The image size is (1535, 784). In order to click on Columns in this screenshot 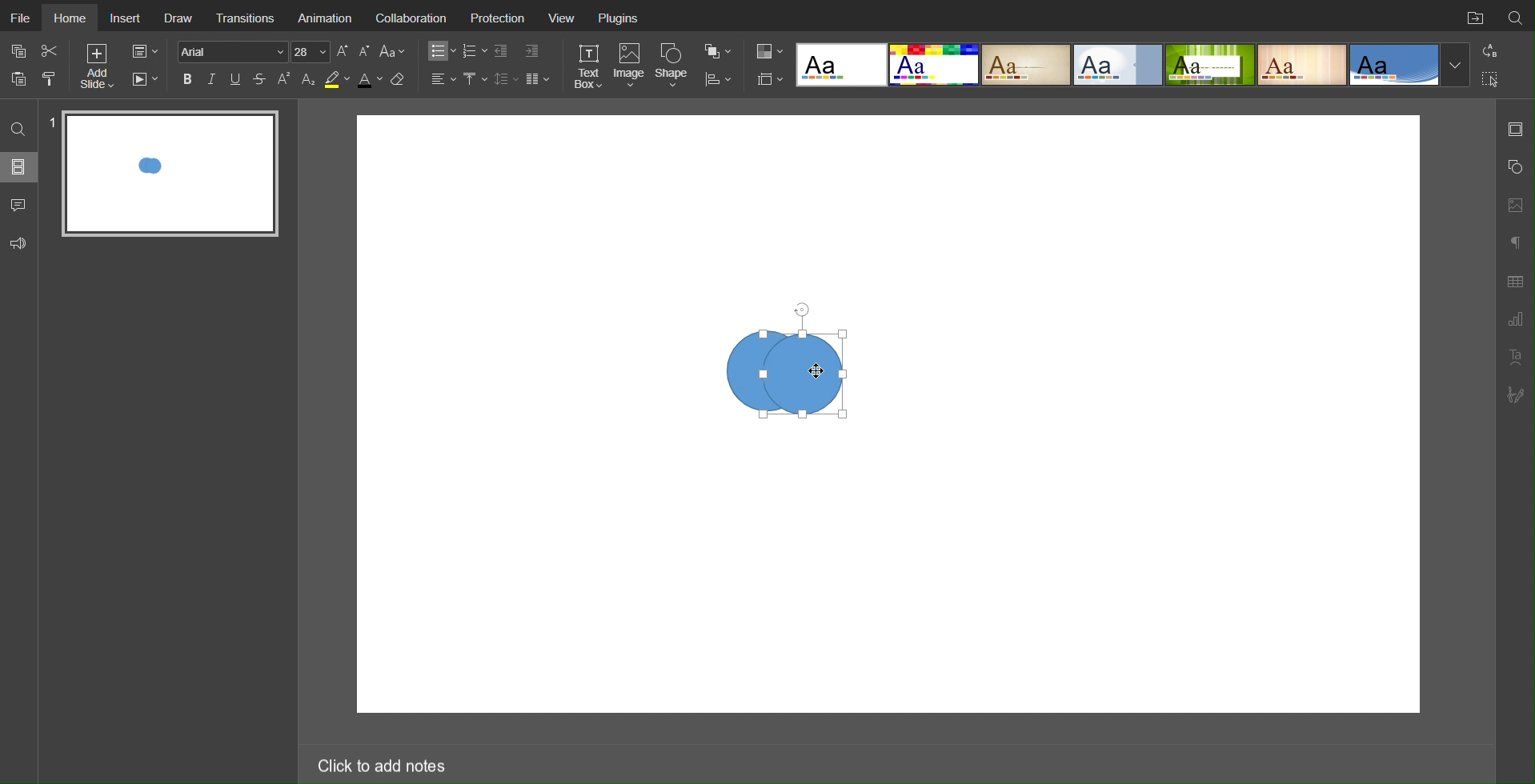, I will do `click(539, 78)`.